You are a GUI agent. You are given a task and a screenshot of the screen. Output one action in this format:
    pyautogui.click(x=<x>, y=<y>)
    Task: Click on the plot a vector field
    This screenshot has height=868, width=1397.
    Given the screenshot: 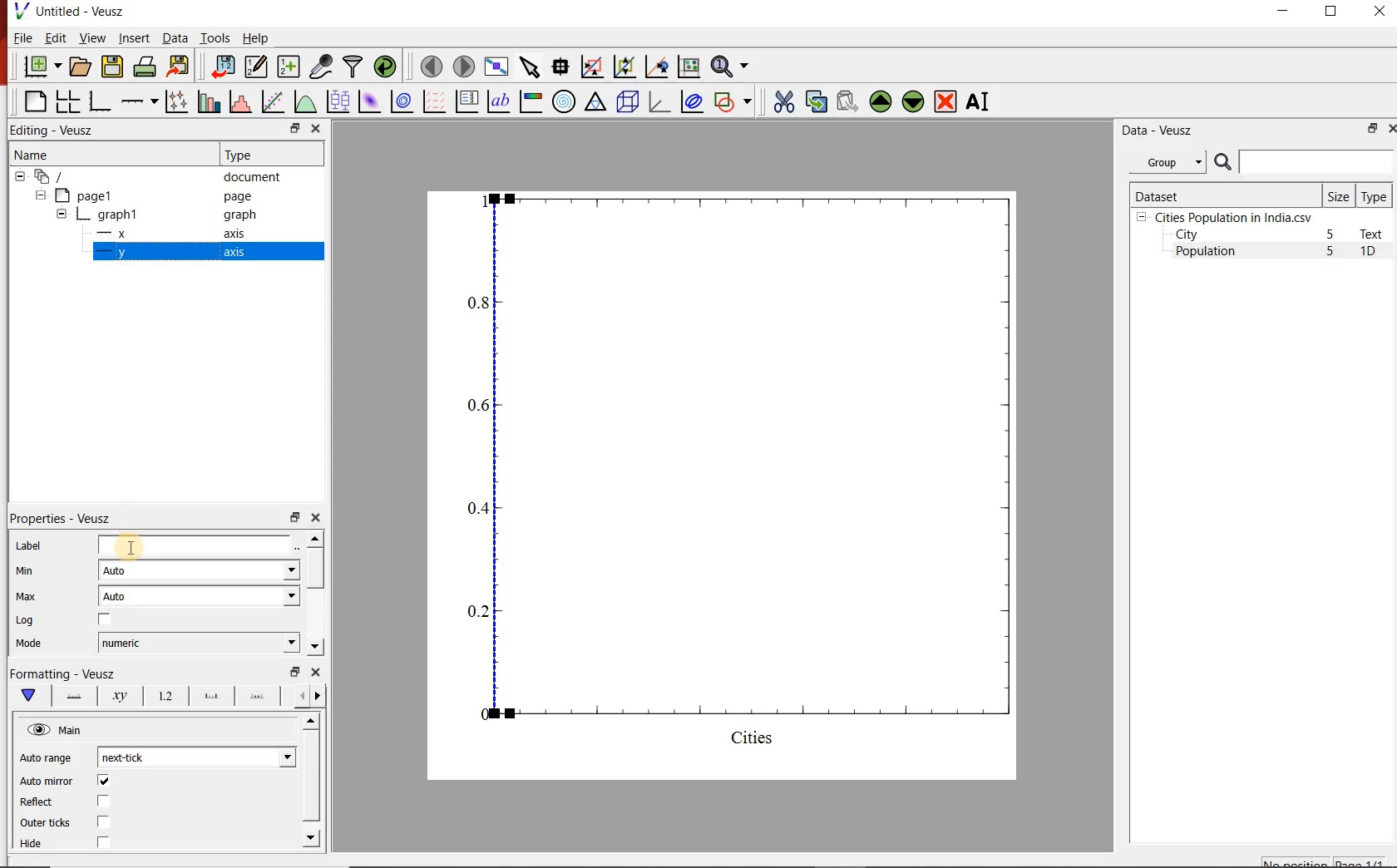 What is the action you would take?
    pyautogui.click(x=432, y=101)
    